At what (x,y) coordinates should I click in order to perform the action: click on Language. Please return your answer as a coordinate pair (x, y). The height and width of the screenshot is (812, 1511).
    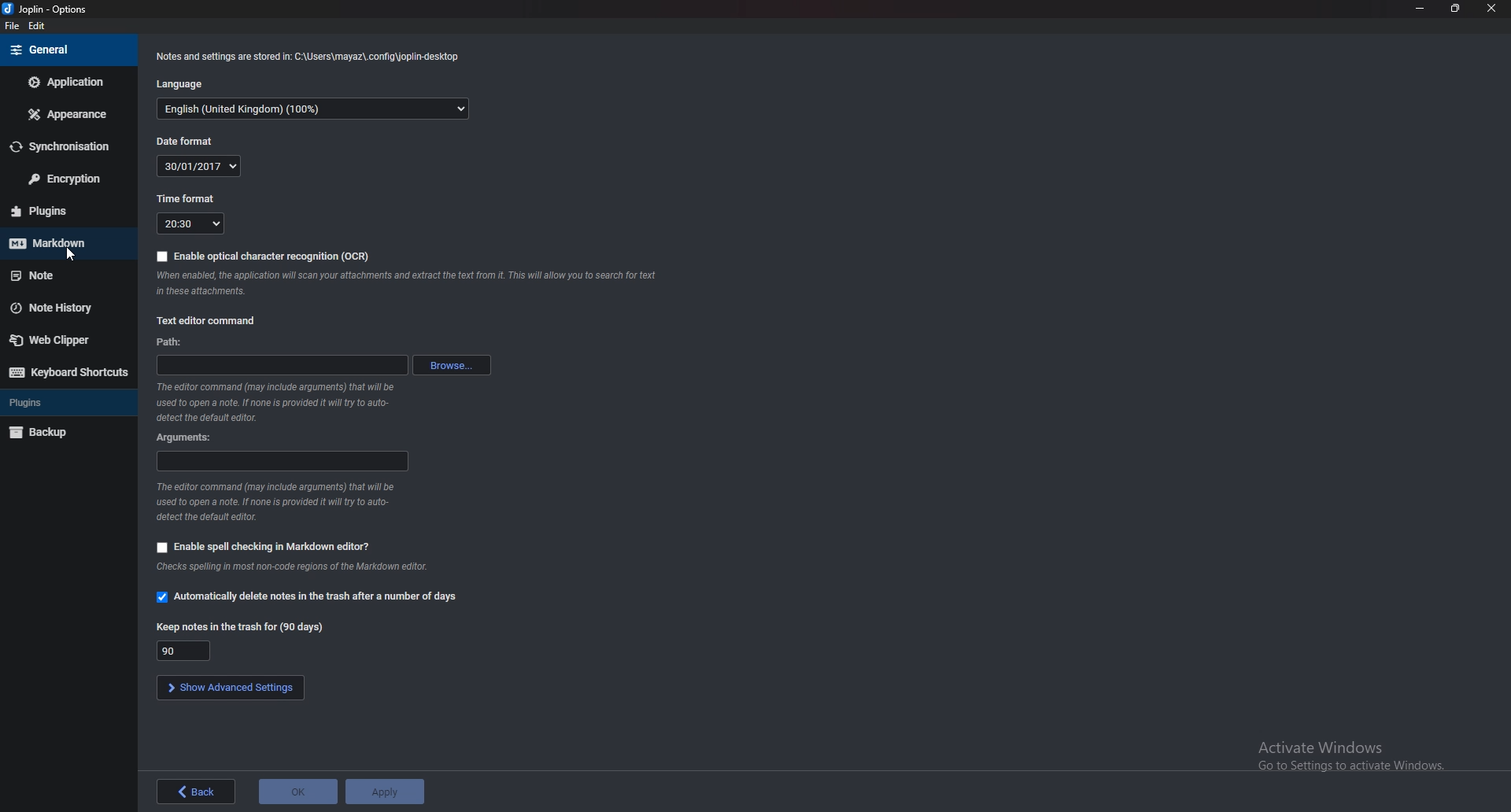
    Looking at the image, I should click on (183, 83).